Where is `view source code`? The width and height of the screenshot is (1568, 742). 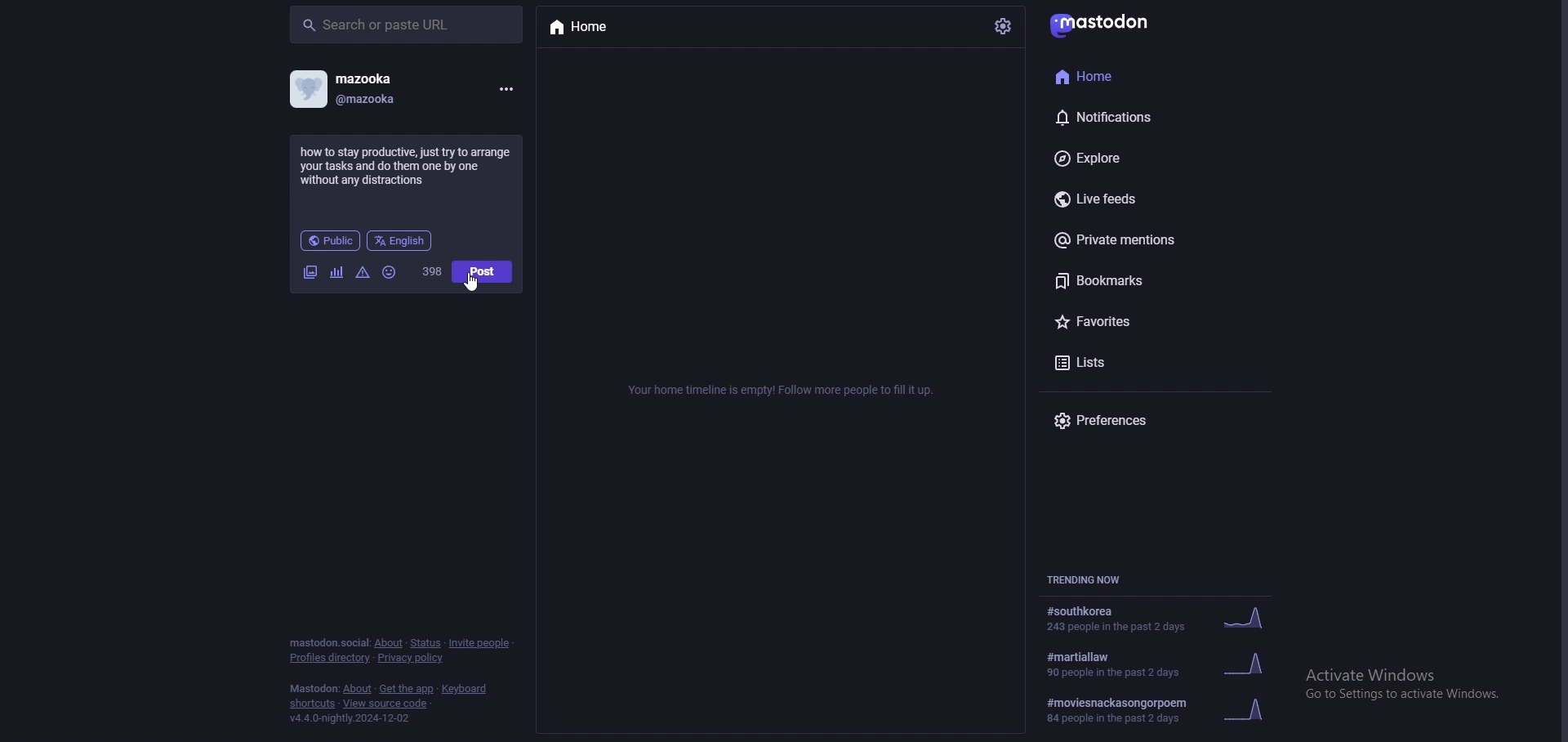 view source code is located at coordinates (387, 704).